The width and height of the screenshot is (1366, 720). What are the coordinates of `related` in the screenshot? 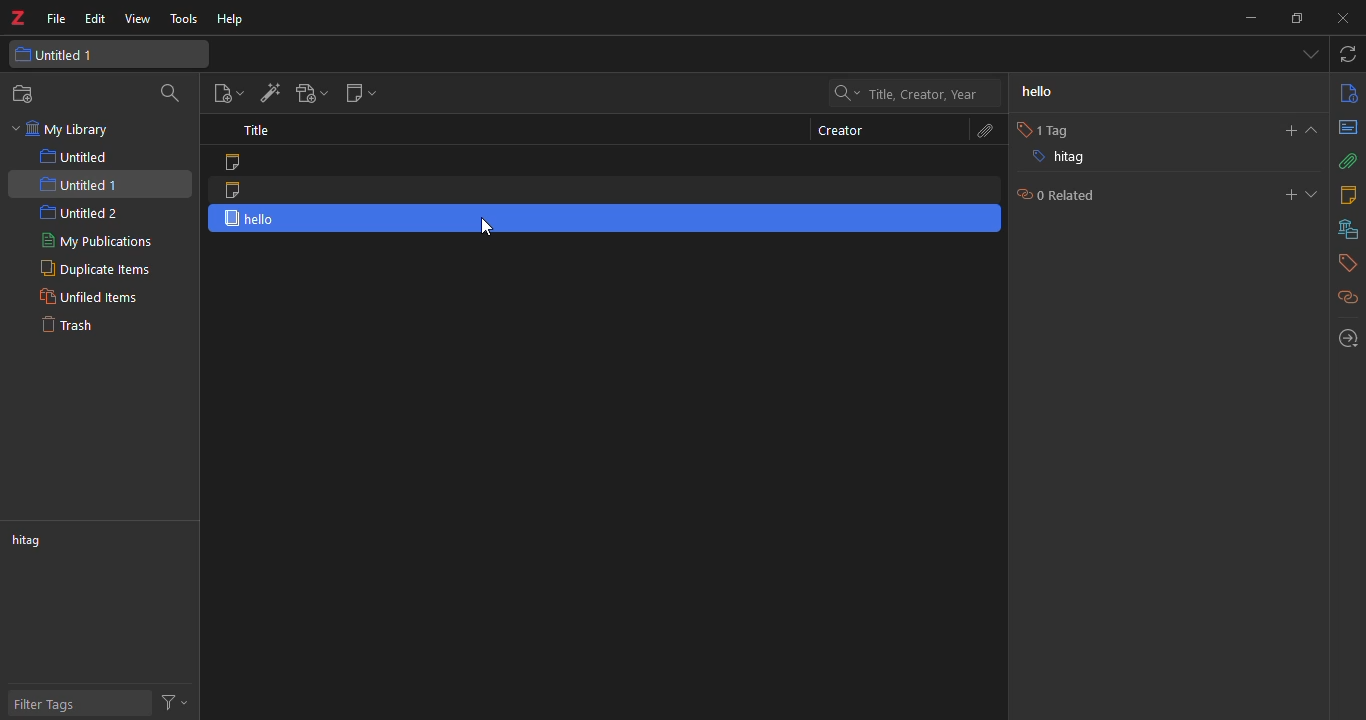 It's located at (1349, 299).